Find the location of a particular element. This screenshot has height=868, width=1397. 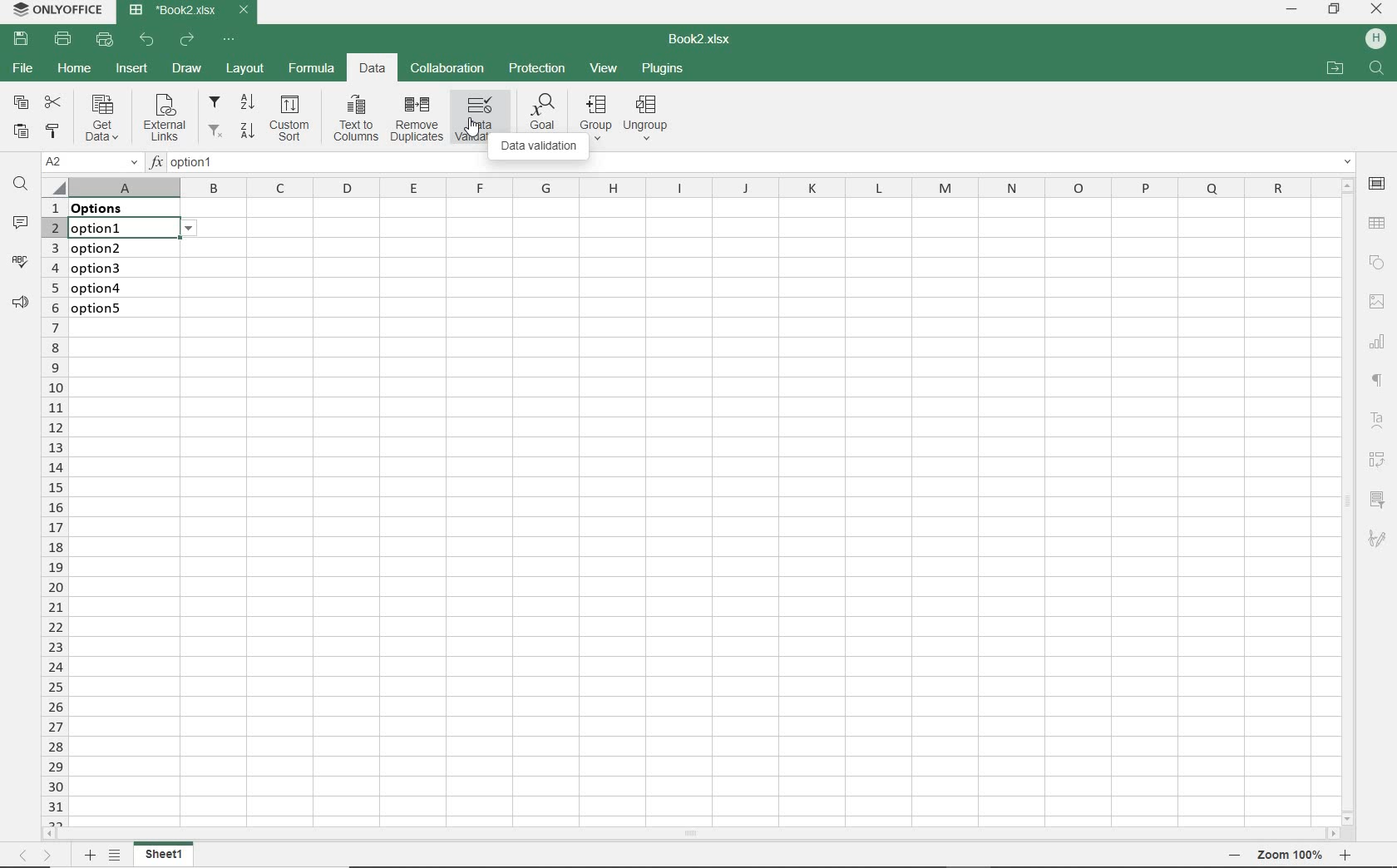

filter from Z to A is located at coordinates (232, 129).